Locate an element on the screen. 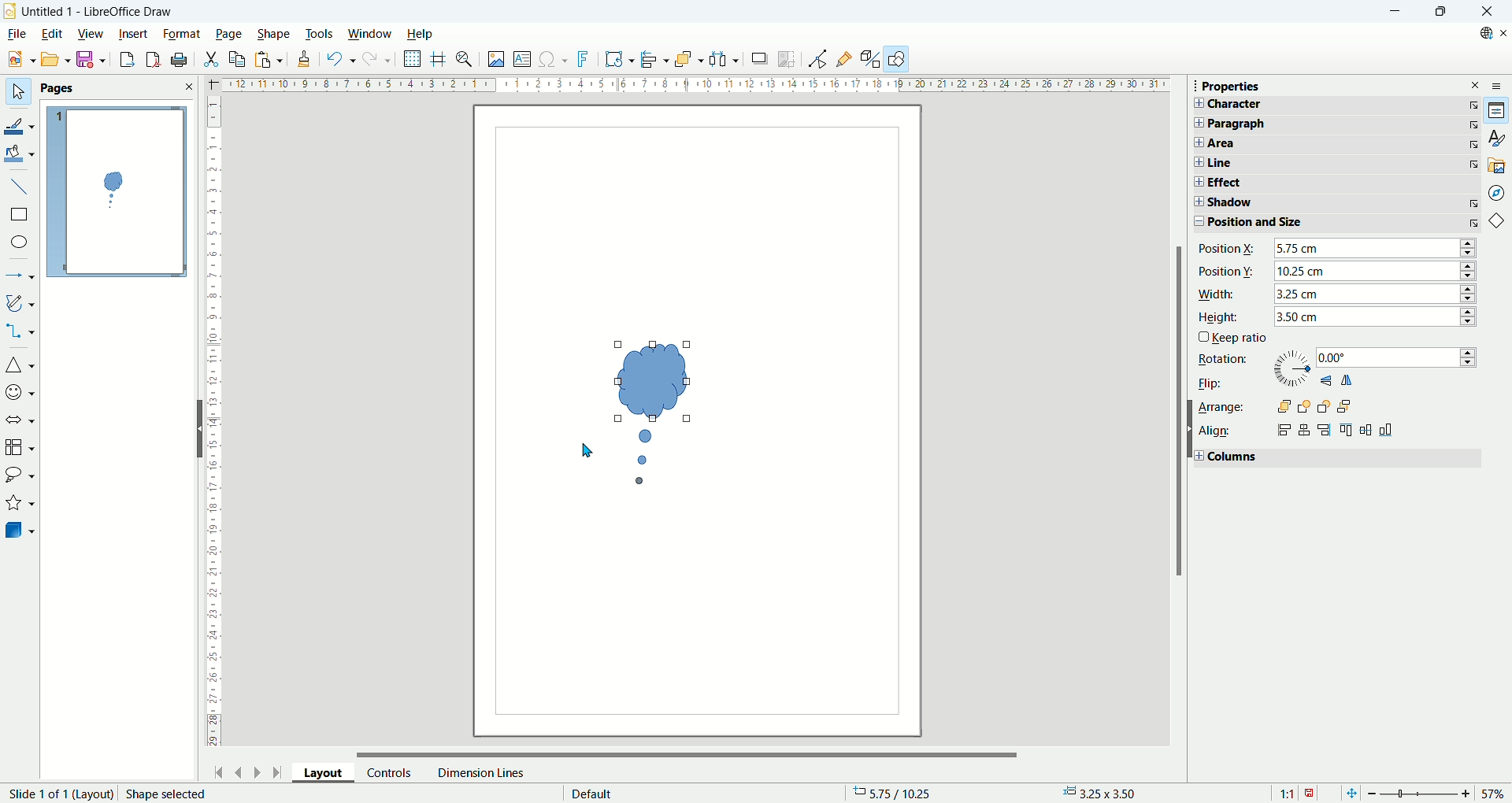  helpline is located at coordinates (439, 59).